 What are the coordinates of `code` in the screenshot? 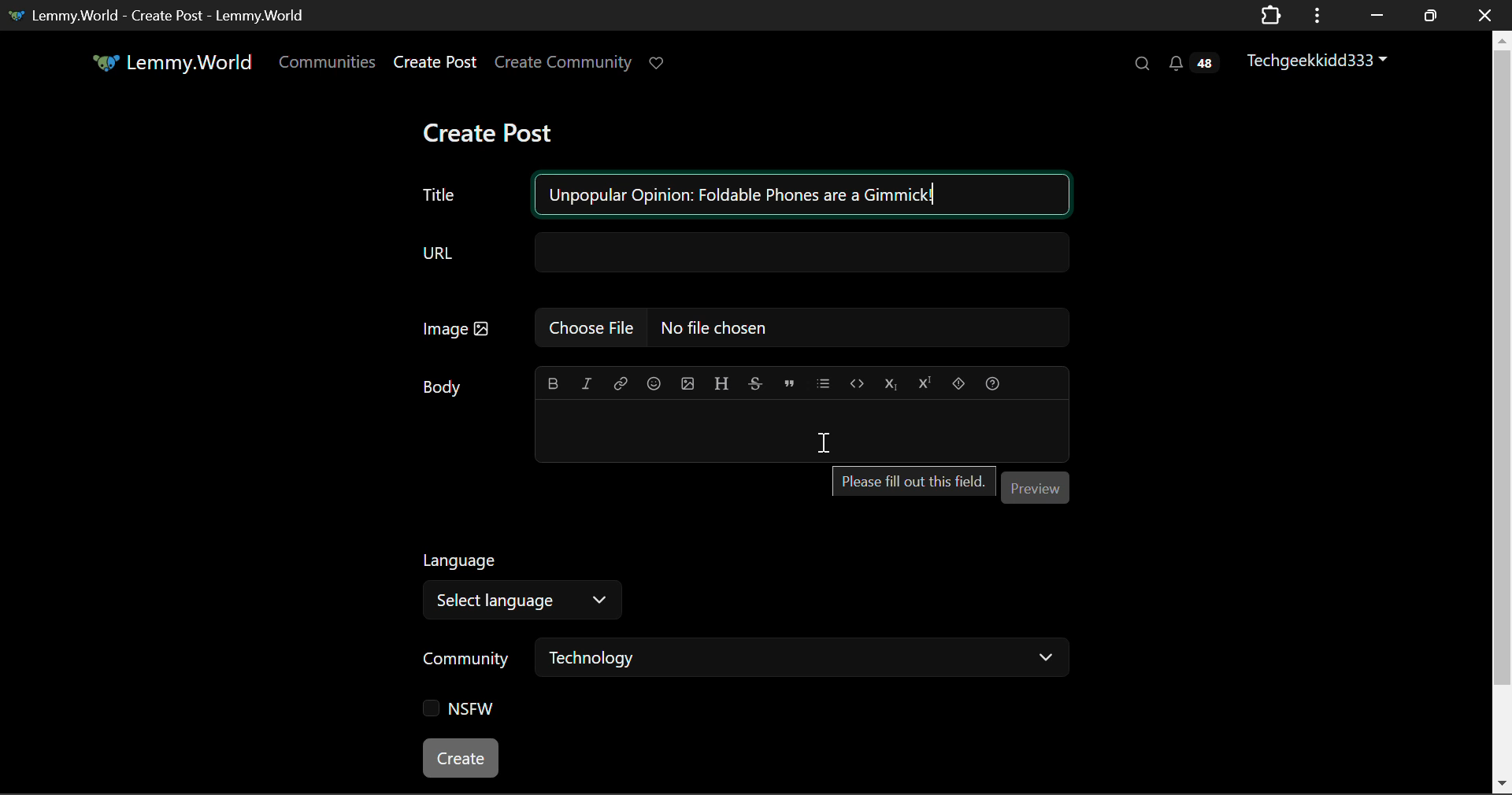 It's located at (857, 383).